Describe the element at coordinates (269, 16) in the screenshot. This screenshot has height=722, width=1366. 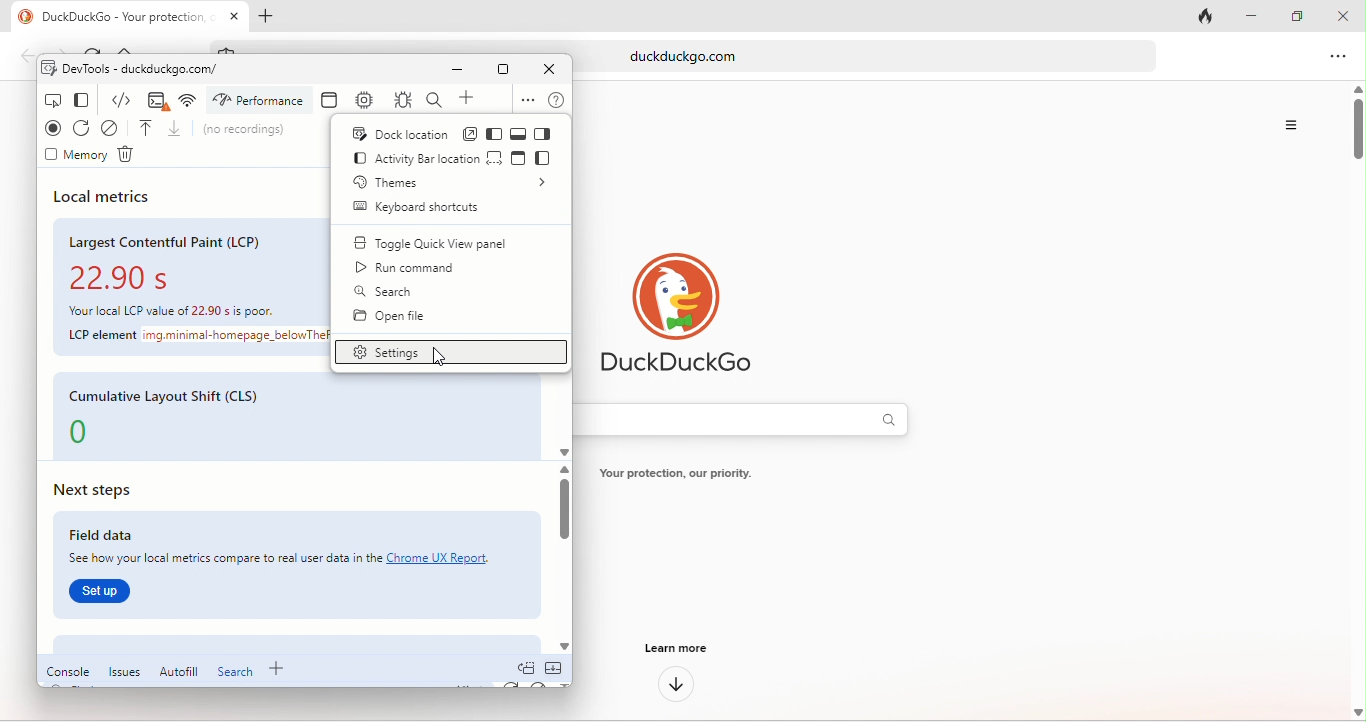
I see `add` at that location.